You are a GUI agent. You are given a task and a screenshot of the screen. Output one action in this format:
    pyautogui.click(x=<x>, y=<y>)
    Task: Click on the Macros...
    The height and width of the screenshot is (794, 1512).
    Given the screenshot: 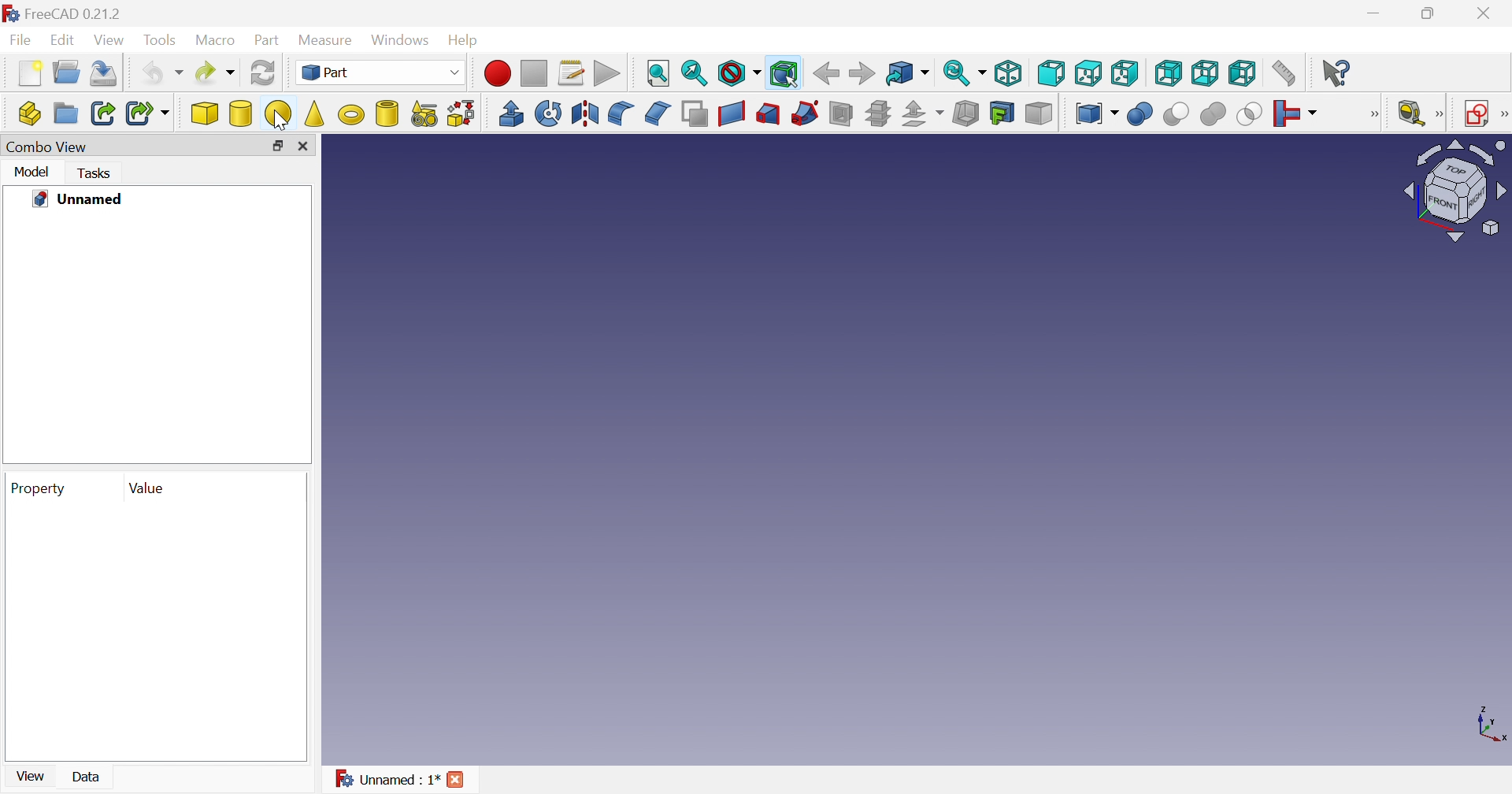 What is the action you would take?
    pyautogui.click(x=570, y=74)
    